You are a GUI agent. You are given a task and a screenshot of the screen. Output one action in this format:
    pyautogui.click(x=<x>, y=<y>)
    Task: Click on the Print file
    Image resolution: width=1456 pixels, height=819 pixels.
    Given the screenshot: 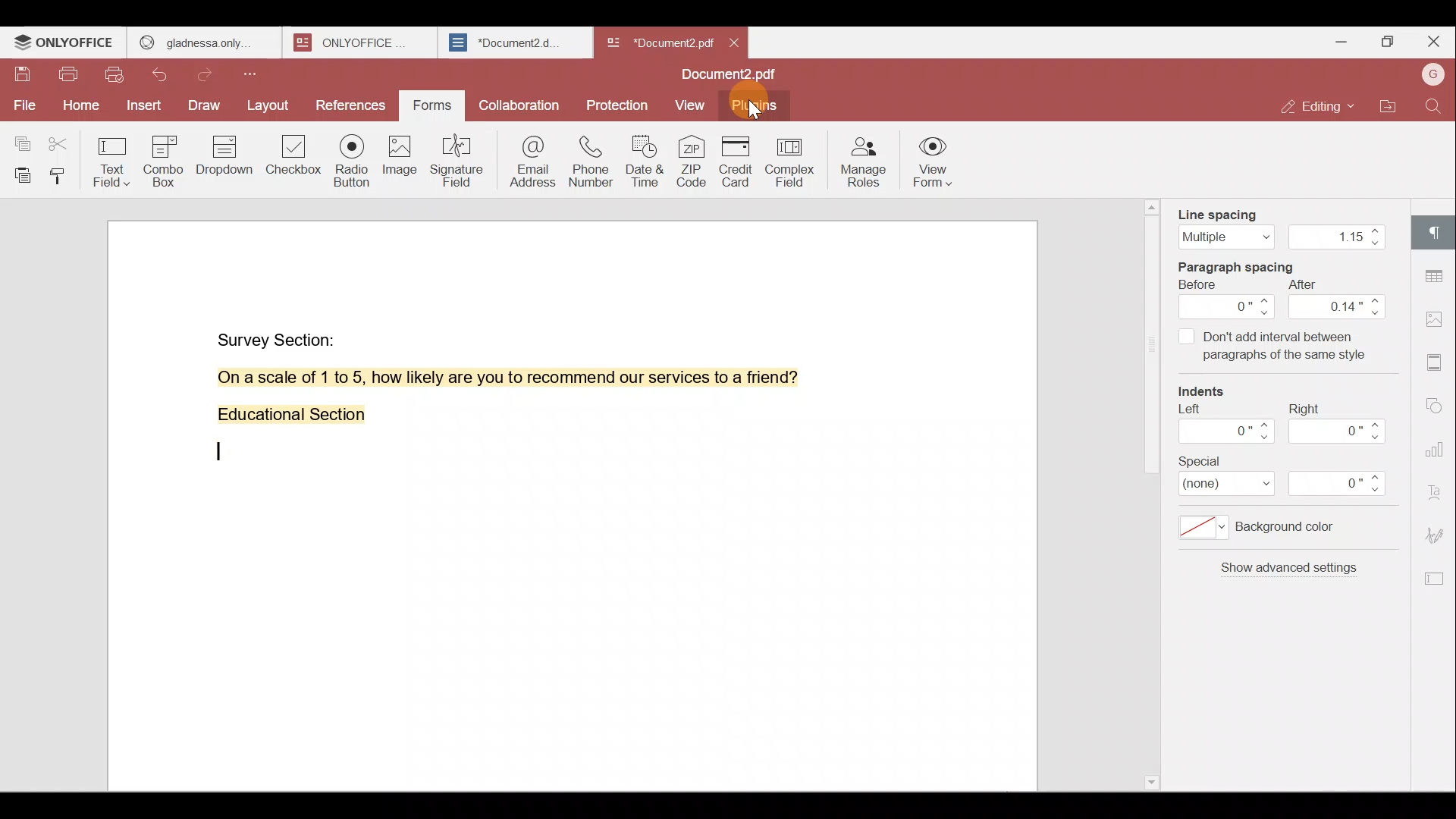 What is the action you would take?
    pyautogui.click(x=67, y=77)
    